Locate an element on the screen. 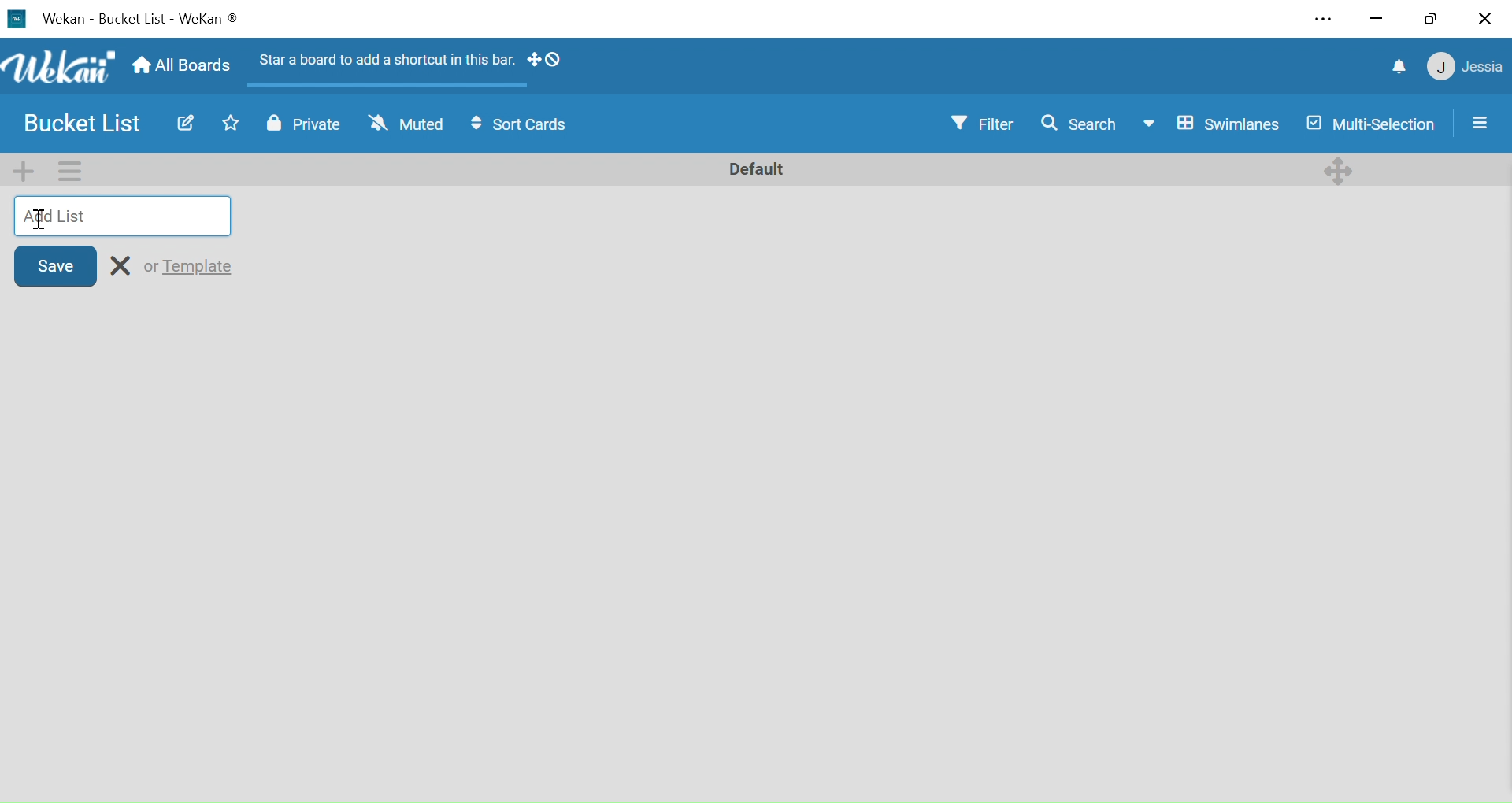 The height and width of the screenshot is (803, 1512). Rename is located at coordinates (122, 265).